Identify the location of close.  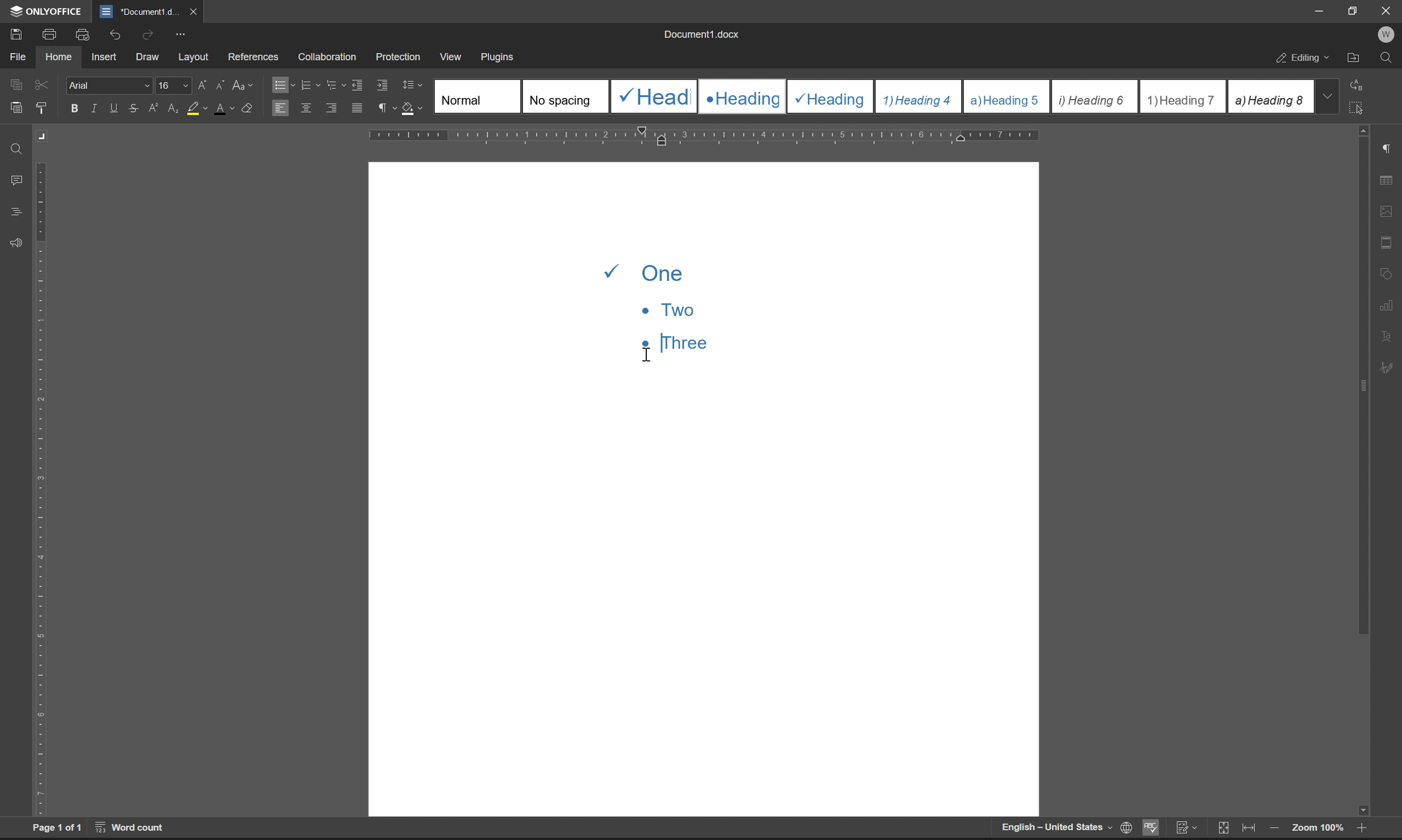
(192, 11).